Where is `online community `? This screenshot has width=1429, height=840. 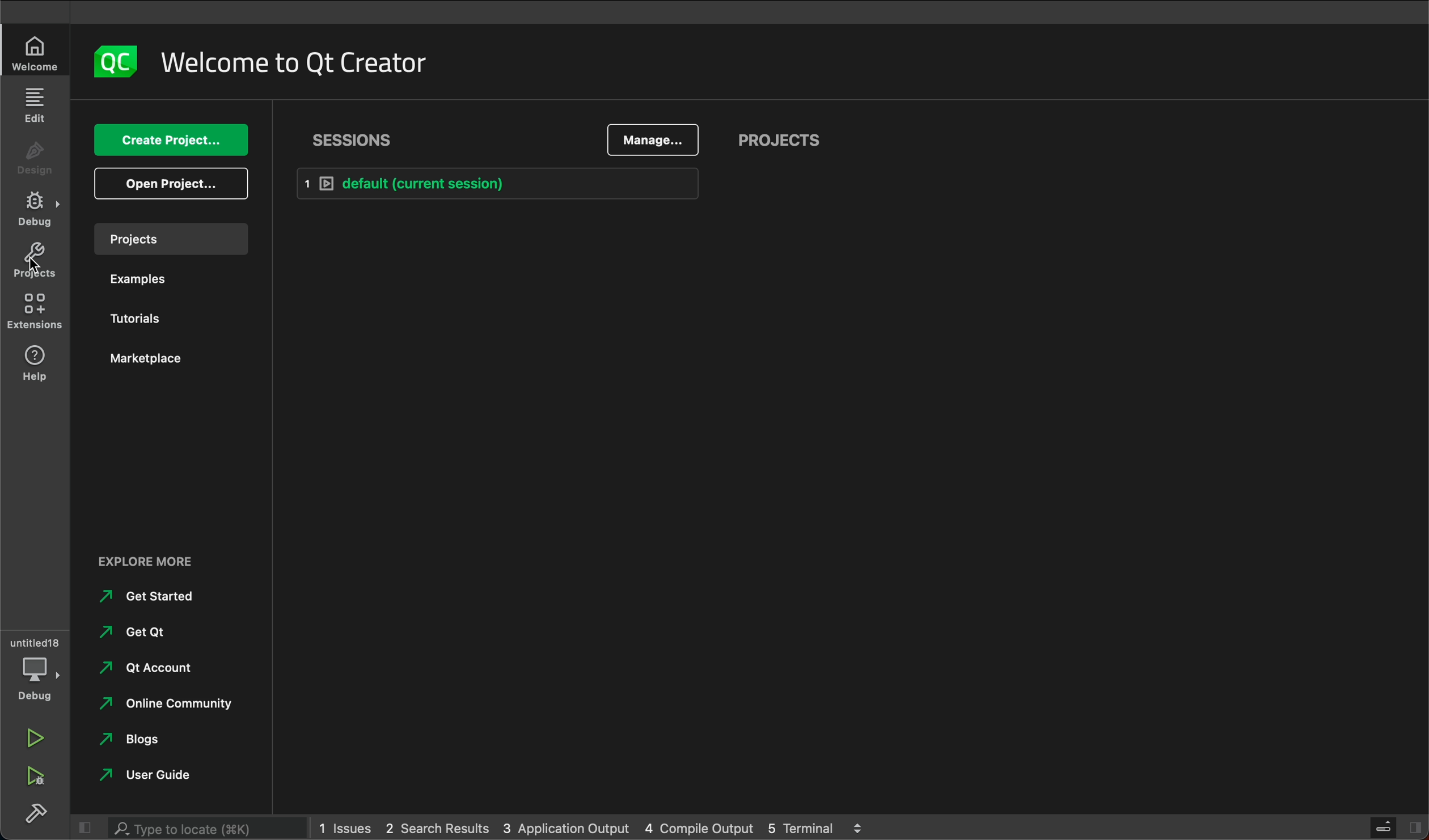
online community  is located at coordinates (171, 706).